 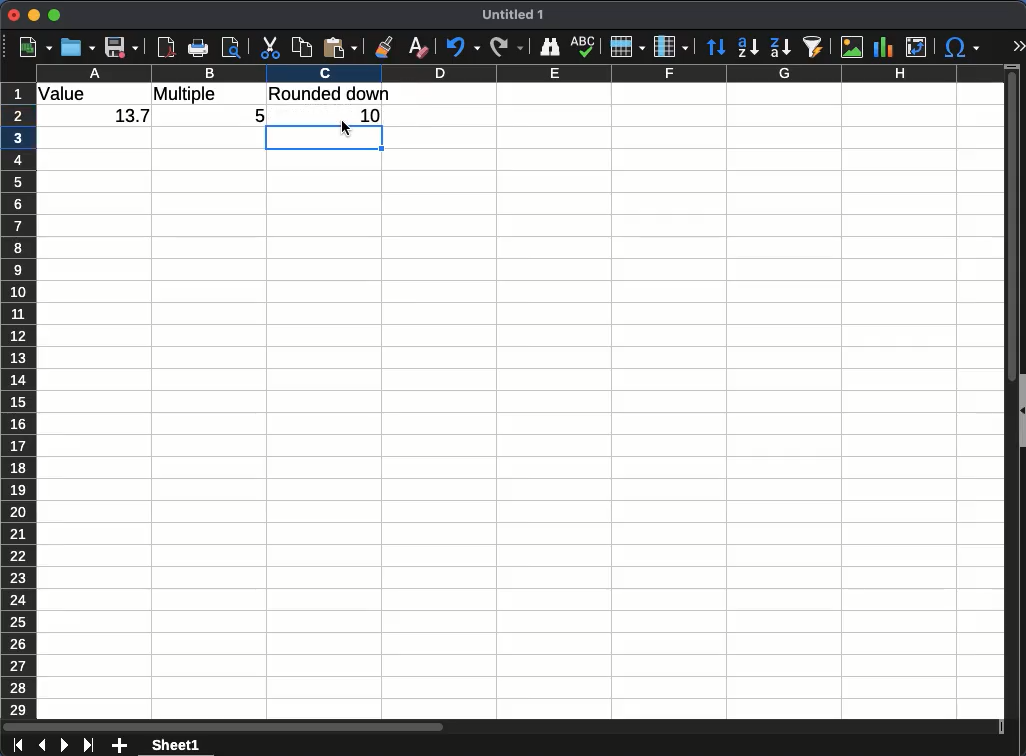 What do you see at coordinates (384, 47) in the screenshot?
I see `clone formatting` at bounding box center [384, 47].